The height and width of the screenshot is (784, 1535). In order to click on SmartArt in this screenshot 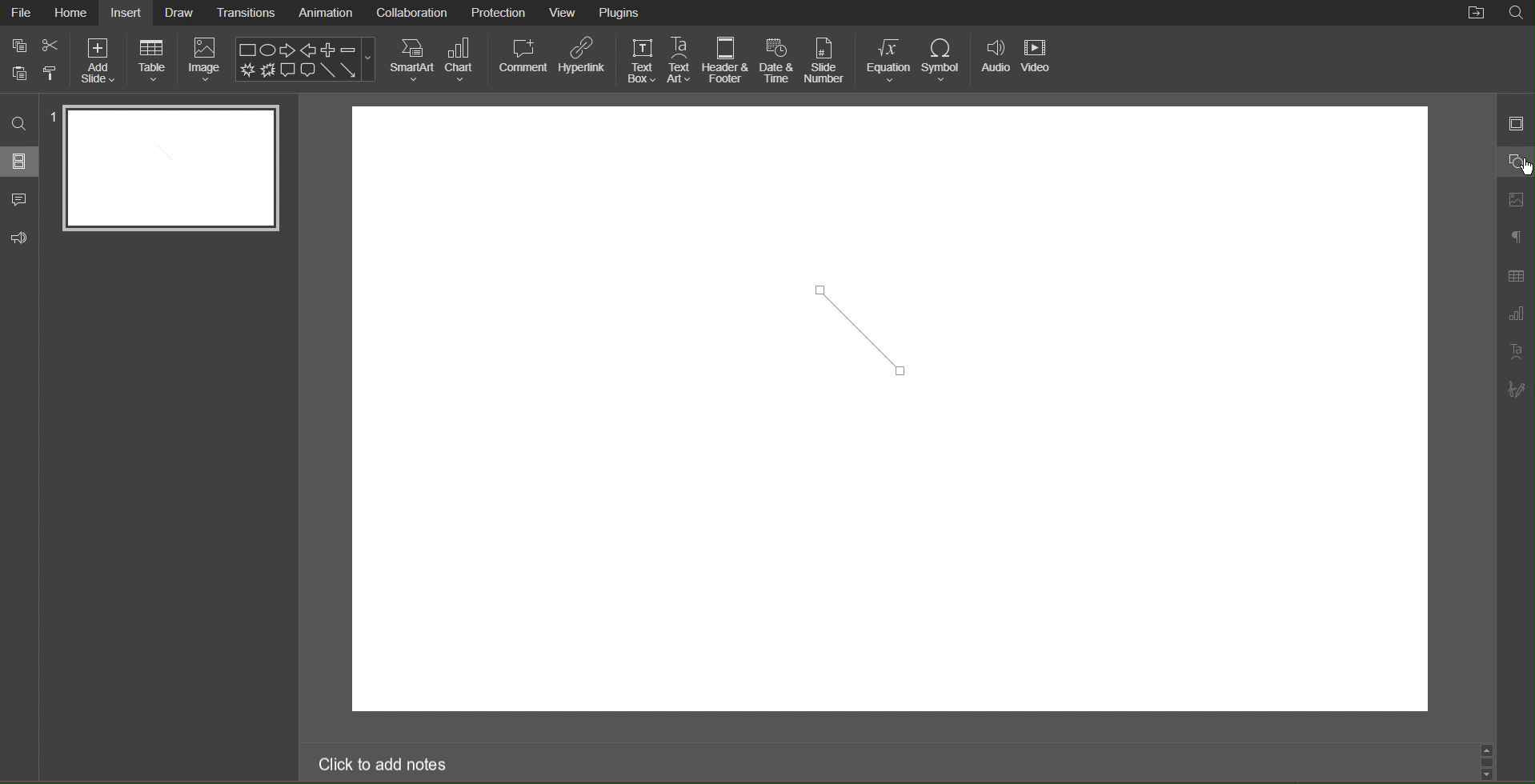, I will do `click(411, 59)`.